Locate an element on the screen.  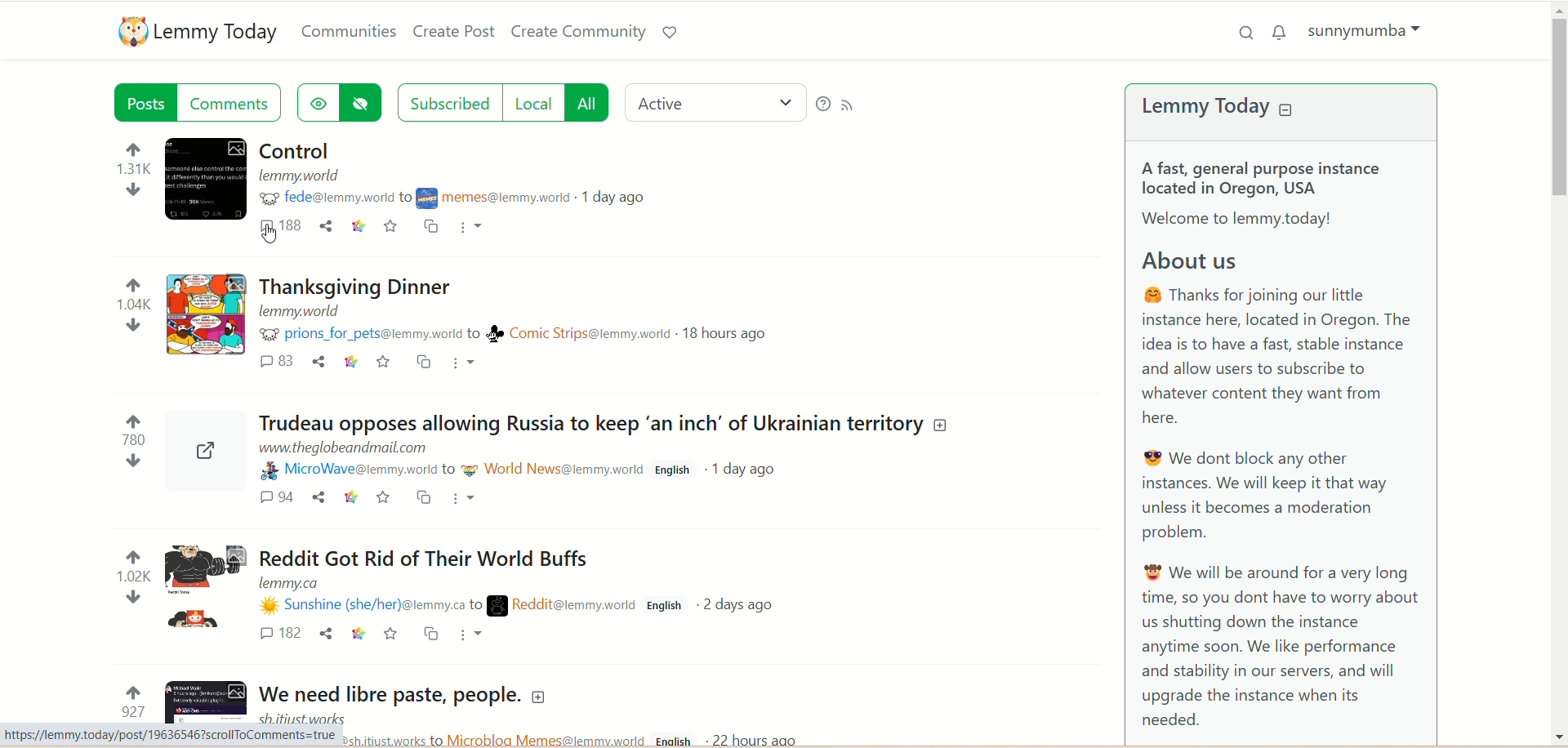
comment is located at coordinates (276, 231).